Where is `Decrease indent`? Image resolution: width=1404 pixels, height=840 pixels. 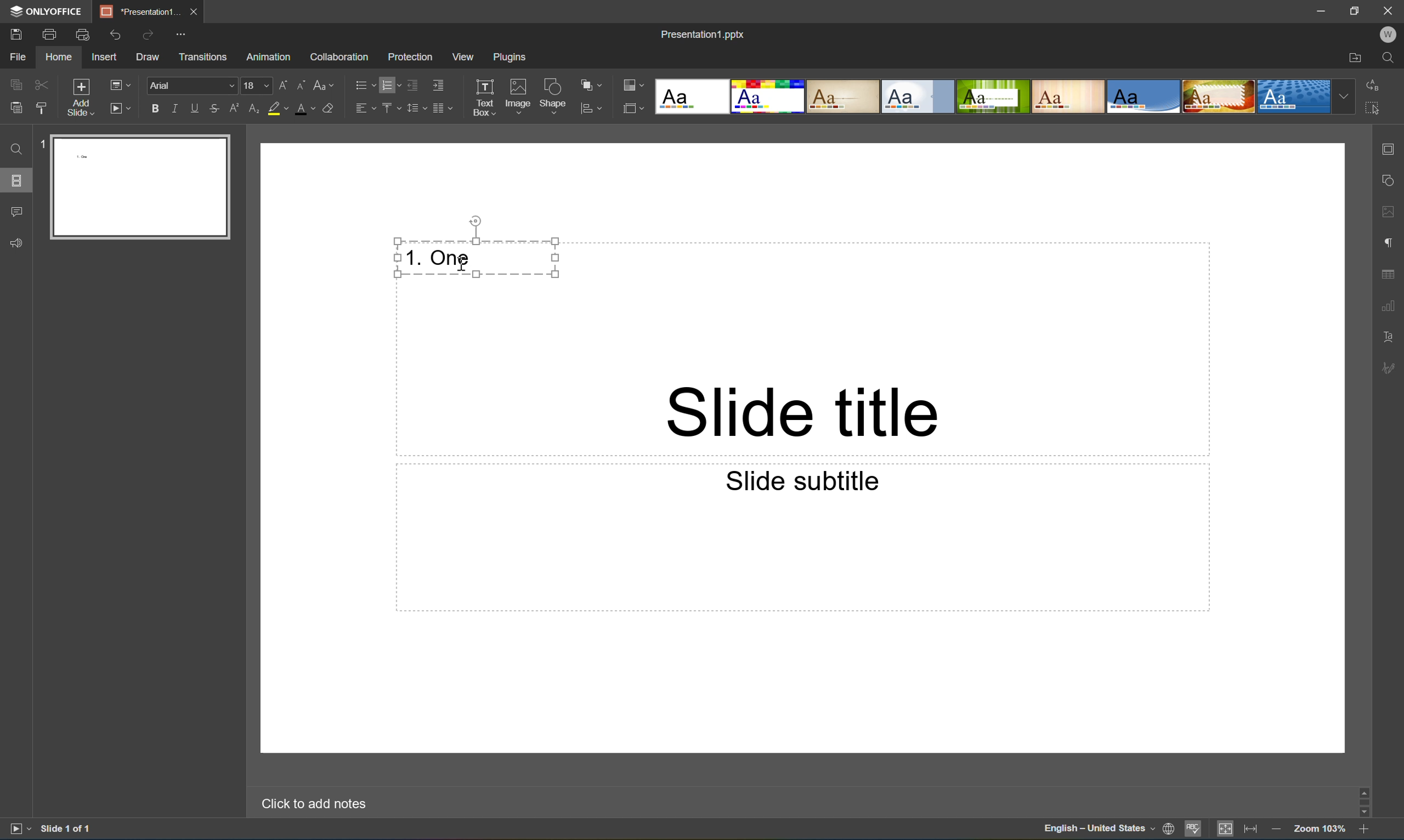
Decrease indent is located at coordinates (414, 86).